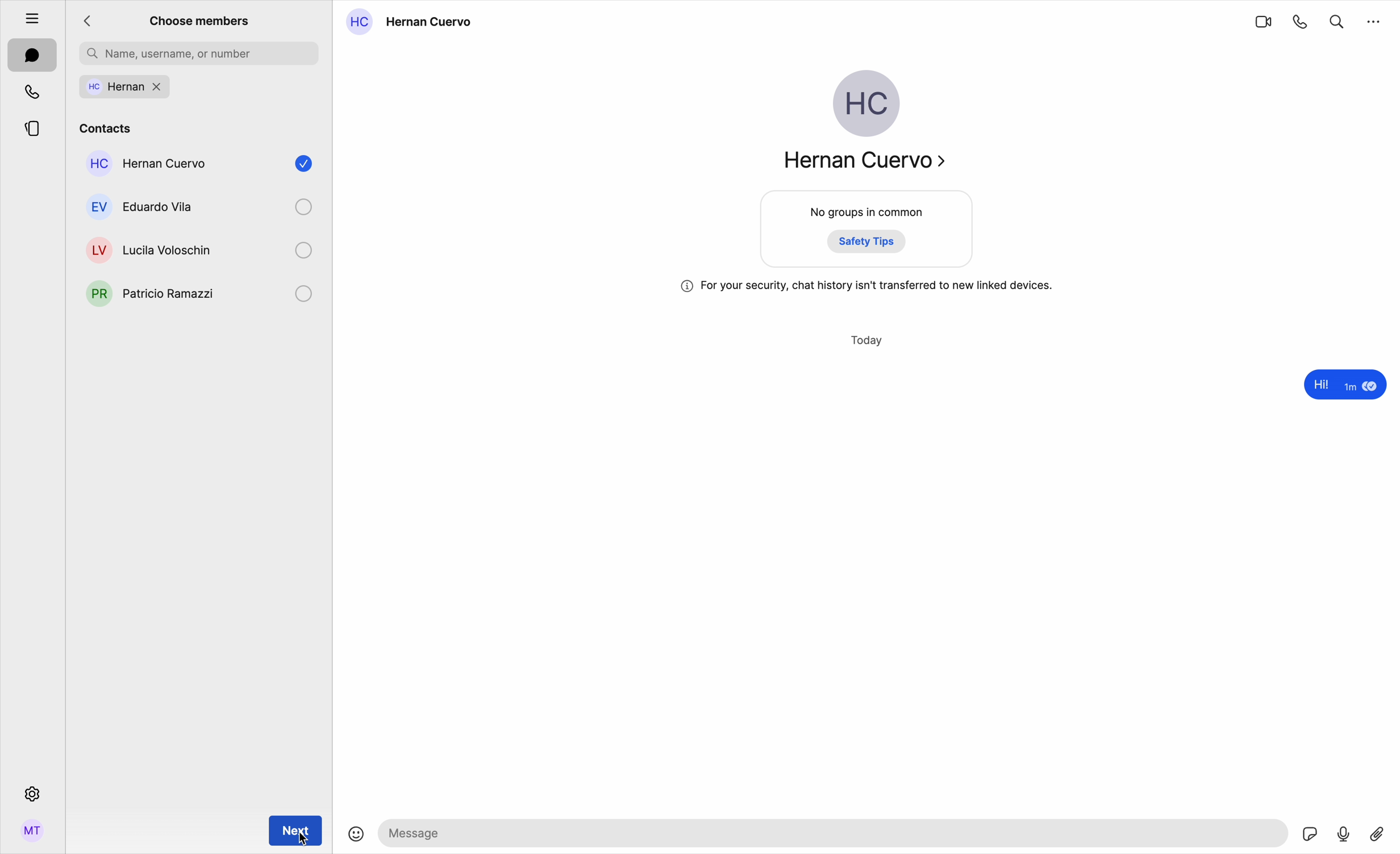  Describe the element at coordinates (1374, 20) in the screenshot. I see `more options` at that location.